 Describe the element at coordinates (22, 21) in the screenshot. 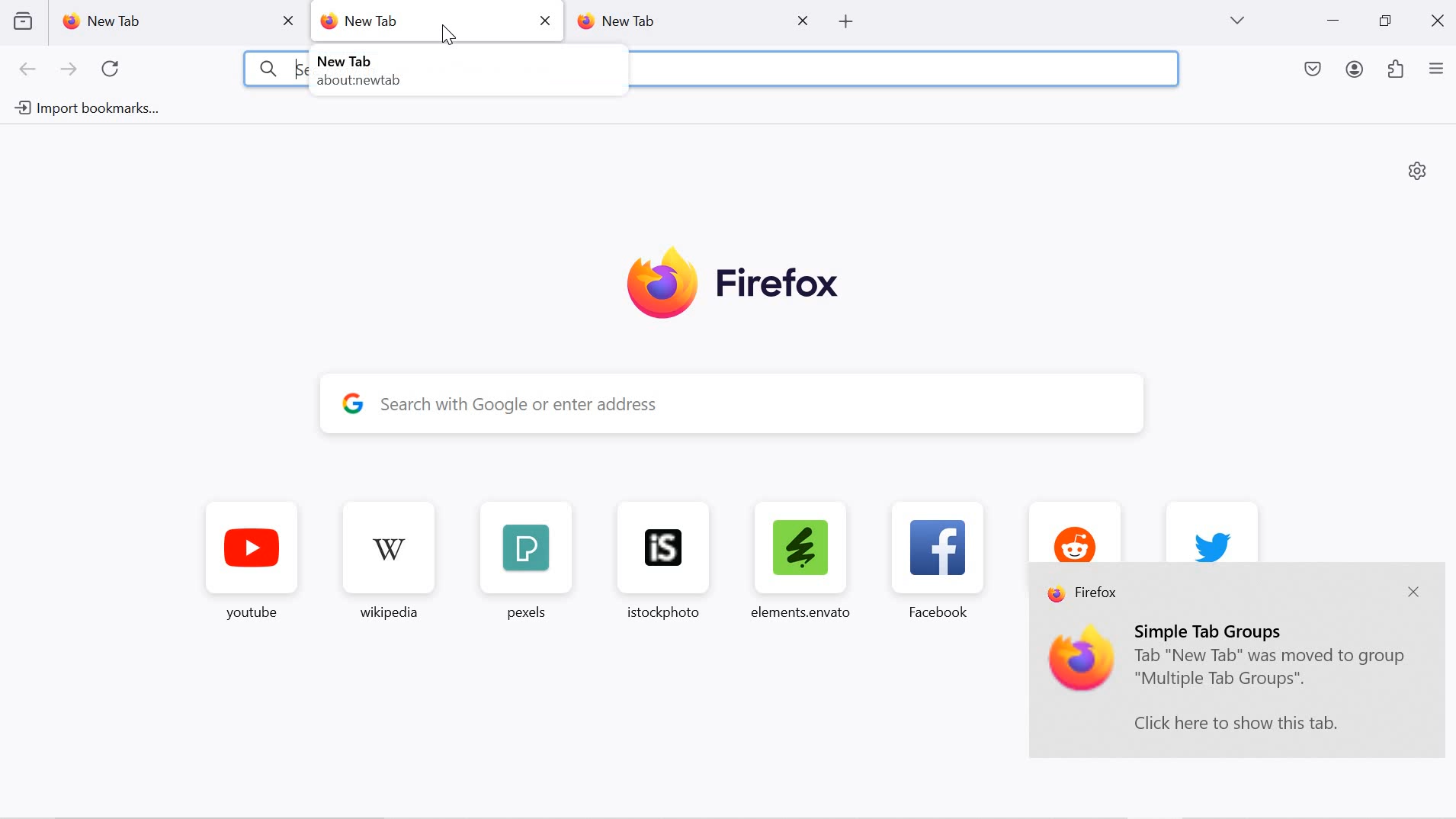

I see `view recent browsing across devices and windows` at that location.